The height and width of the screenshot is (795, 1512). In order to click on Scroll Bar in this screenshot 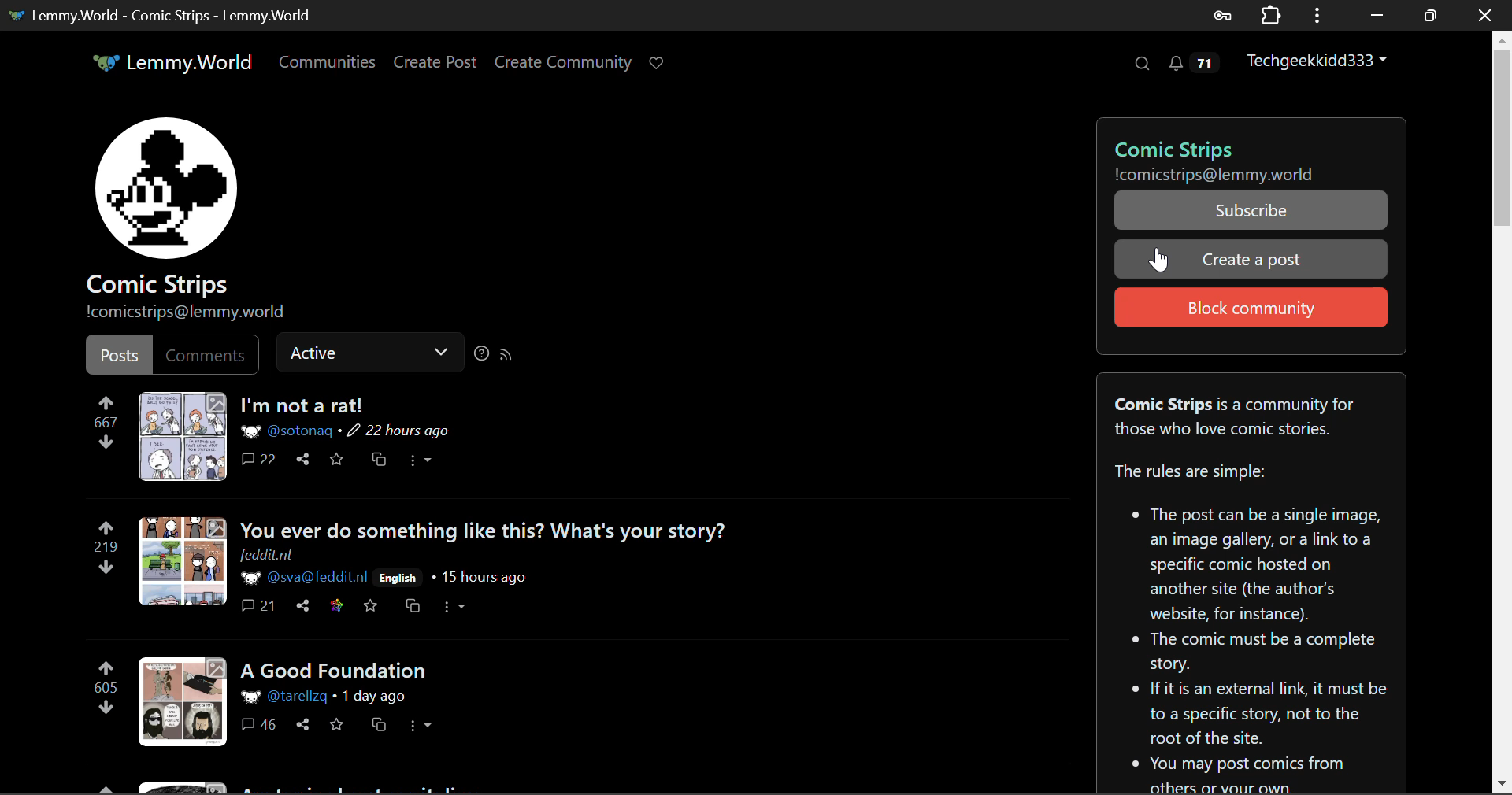, I will do `click(1503, 411)`.